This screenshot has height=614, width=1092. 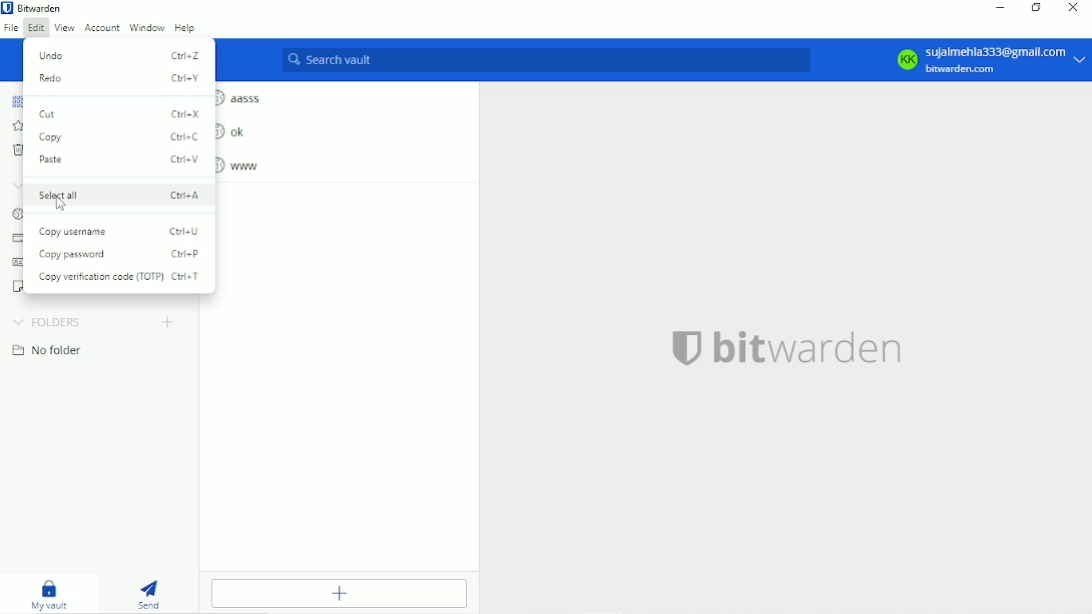 What do you see at coordinates (542, 62) in the screenshot?
I see `Search vault` at bounding box center [542, 62].